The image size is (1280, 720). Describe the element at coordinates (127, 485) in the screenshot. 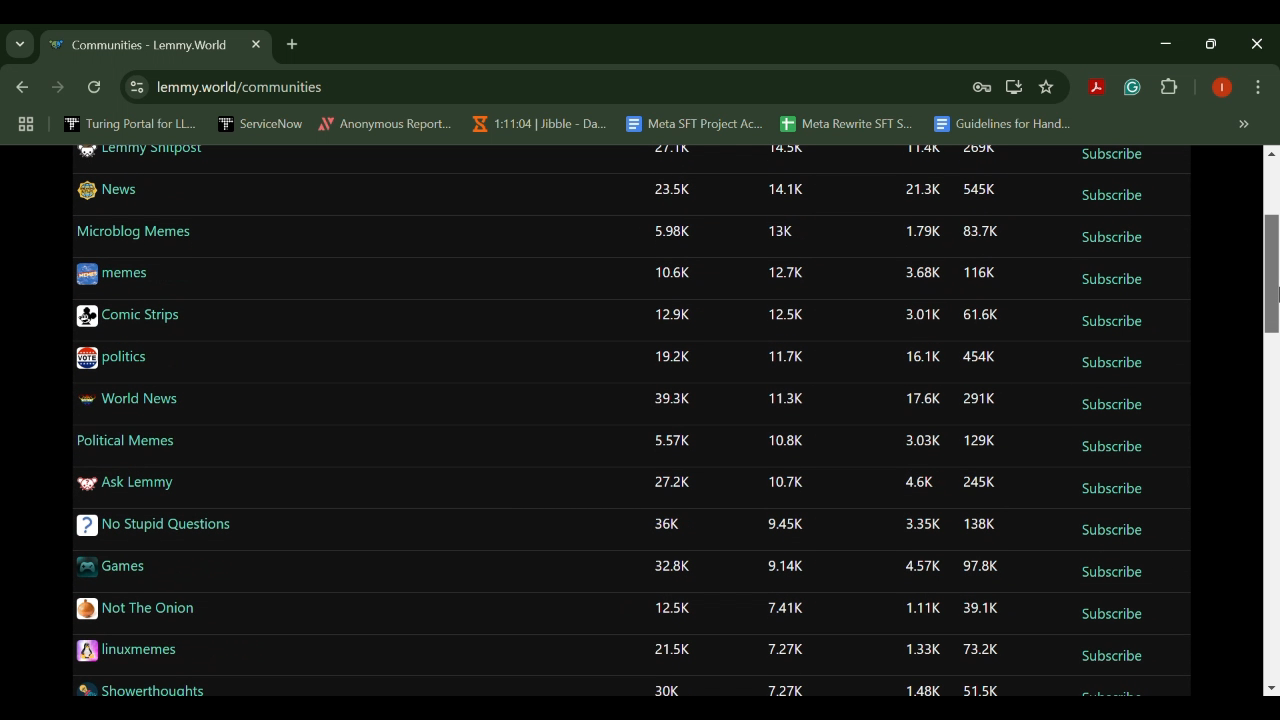

I see `Ask Lemmy` at that location.